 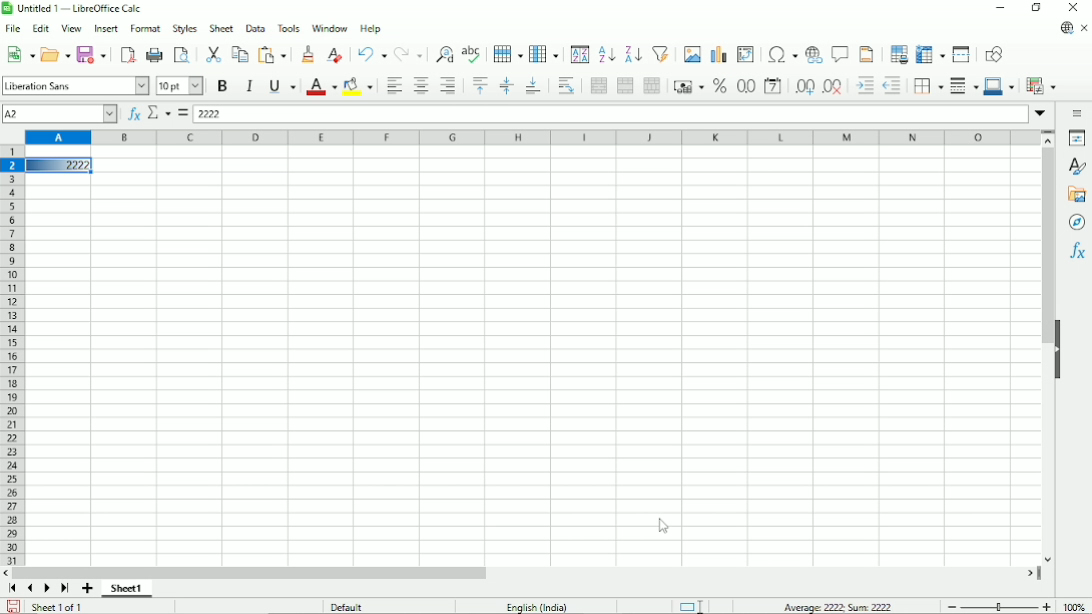 I want to click on Print, so click(x=154, y=55).